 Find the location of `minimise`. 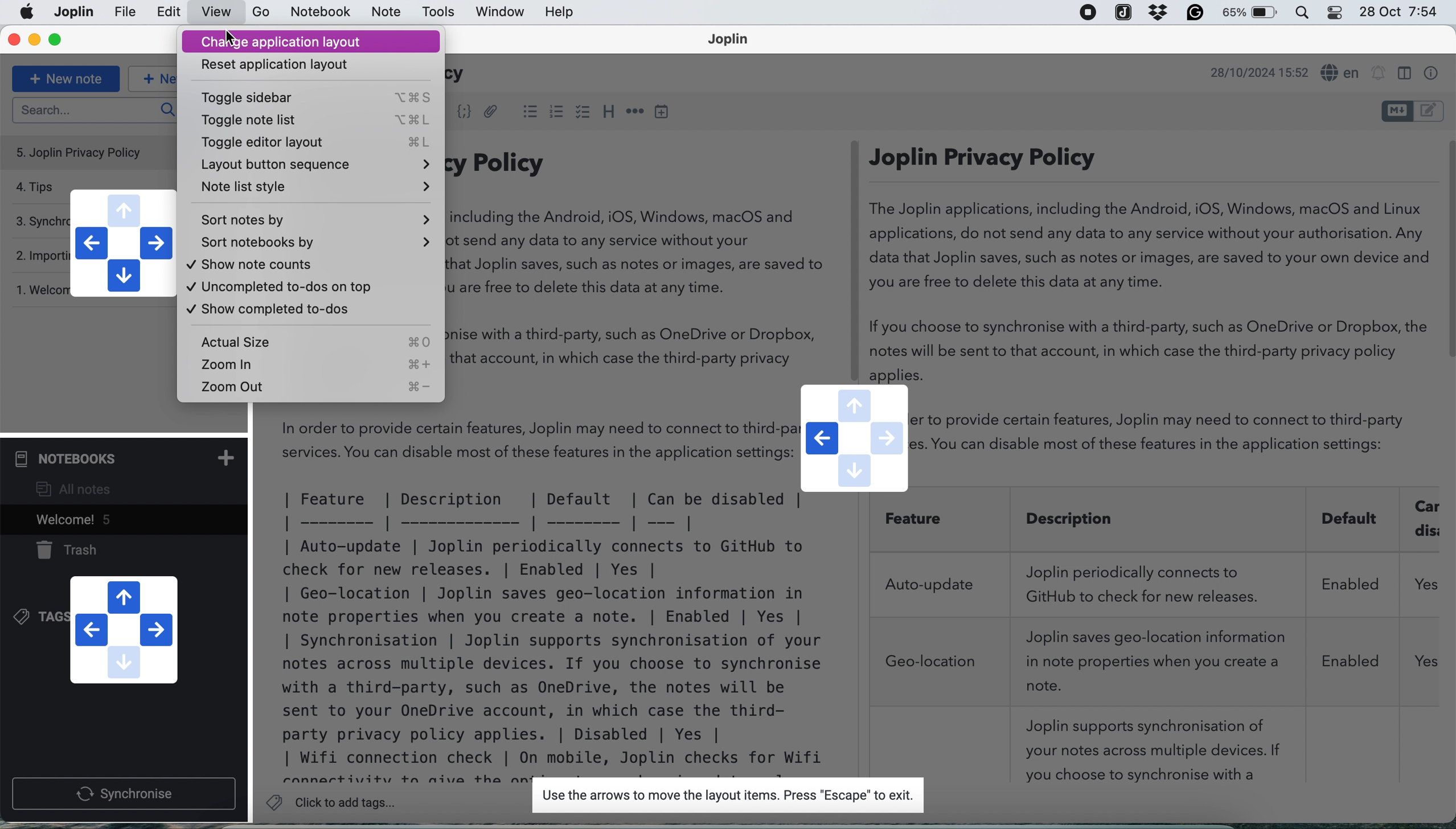

minimise is located at coordinates (35, 40).